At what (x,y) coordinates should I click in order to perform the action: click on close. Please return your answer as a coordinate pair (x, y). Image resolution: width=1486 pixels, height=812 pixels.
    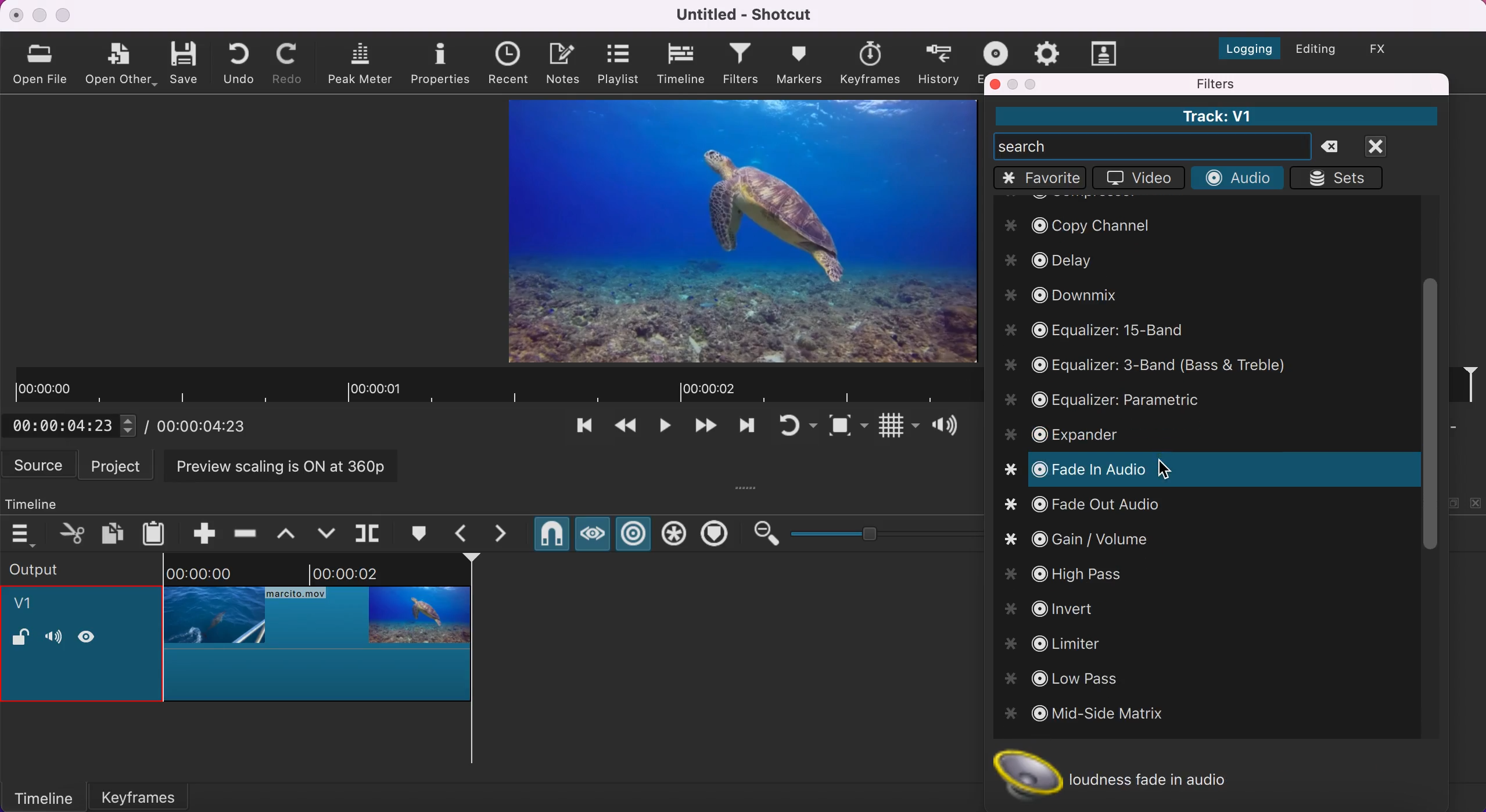
    Looking at the image, I should click on (1390, 146).